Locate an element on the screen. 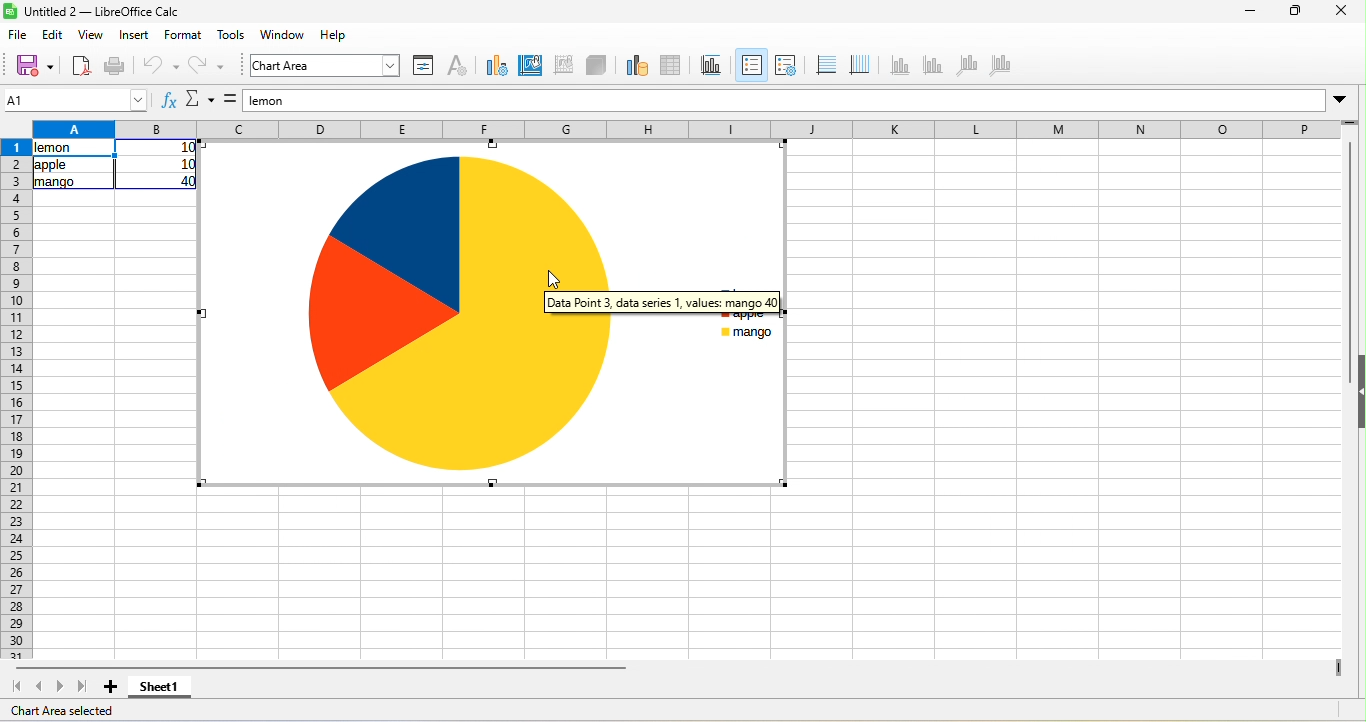 This screenshot has height=722, width=1366. horizontal scroll bar is located at coordinates (318, 669).